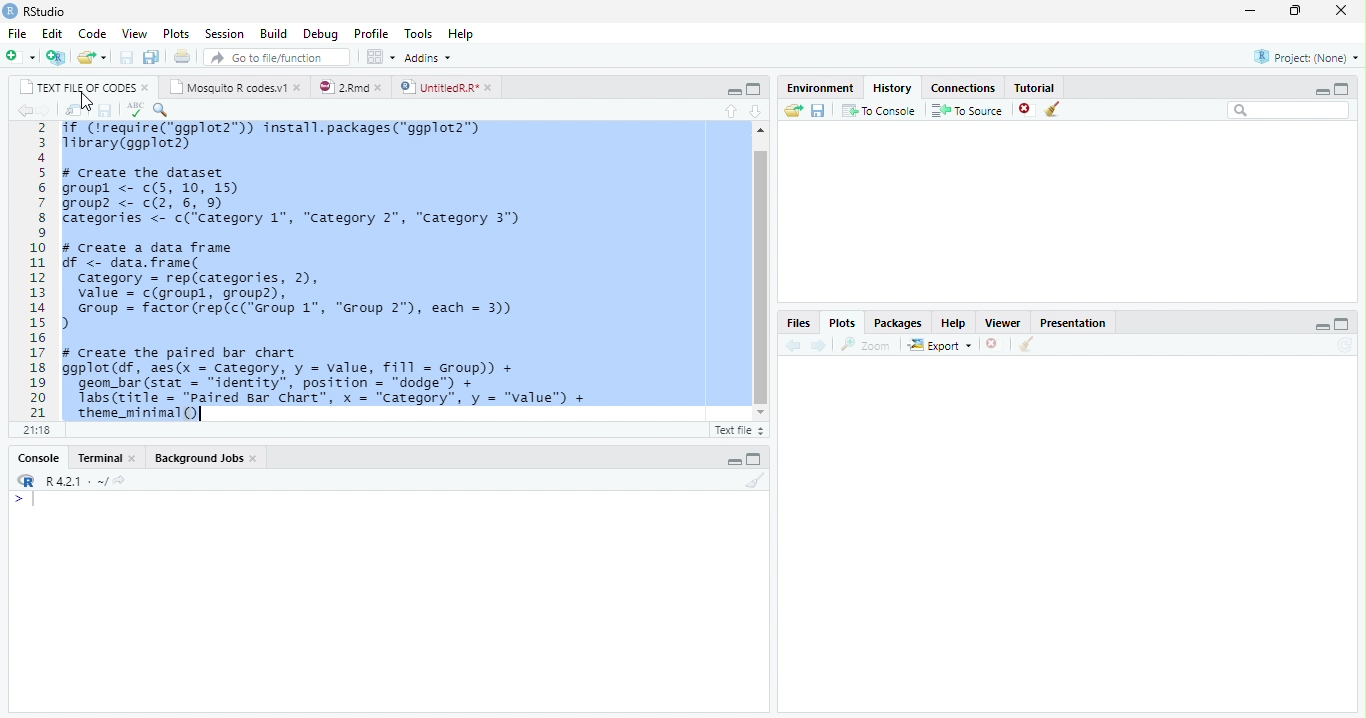  I want to click on 2.rmd, so click(344, 87).